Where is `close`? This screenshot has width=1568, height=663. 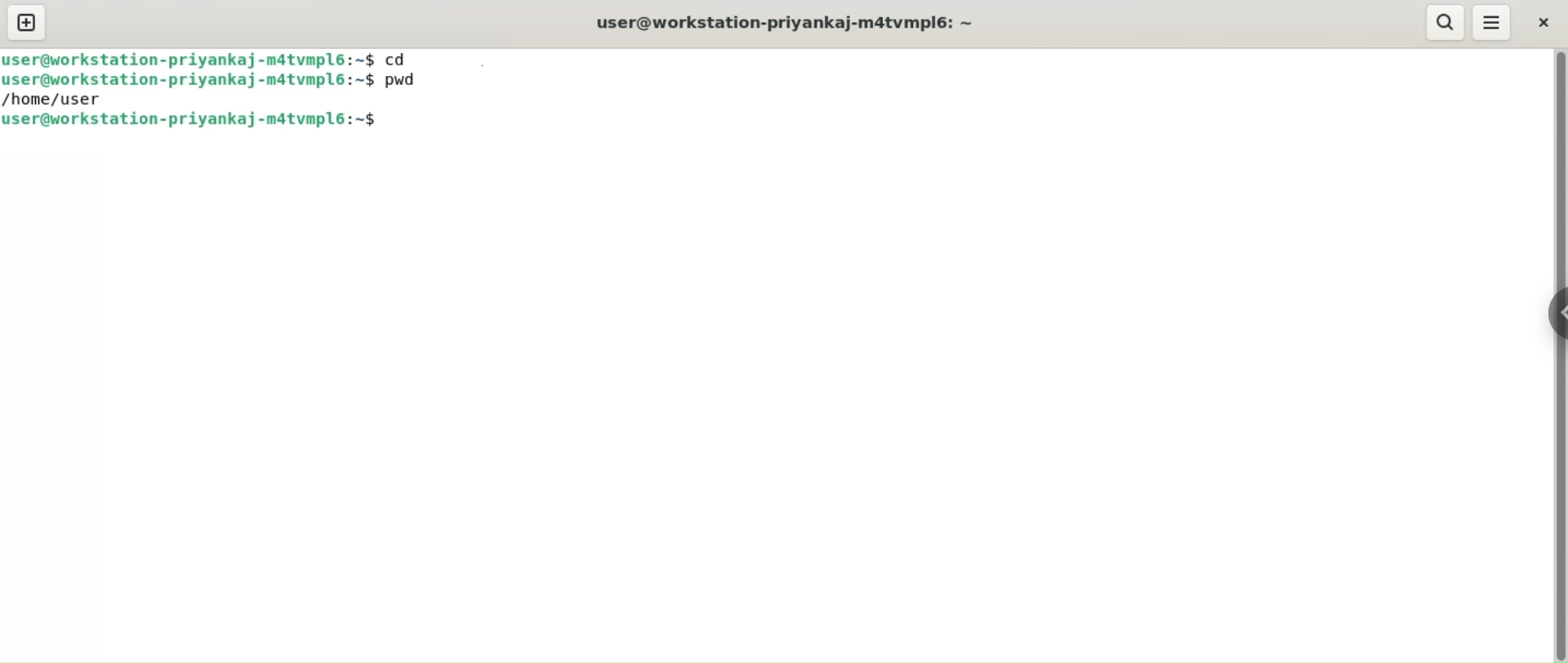 close is located at coordinates (1541, 21).